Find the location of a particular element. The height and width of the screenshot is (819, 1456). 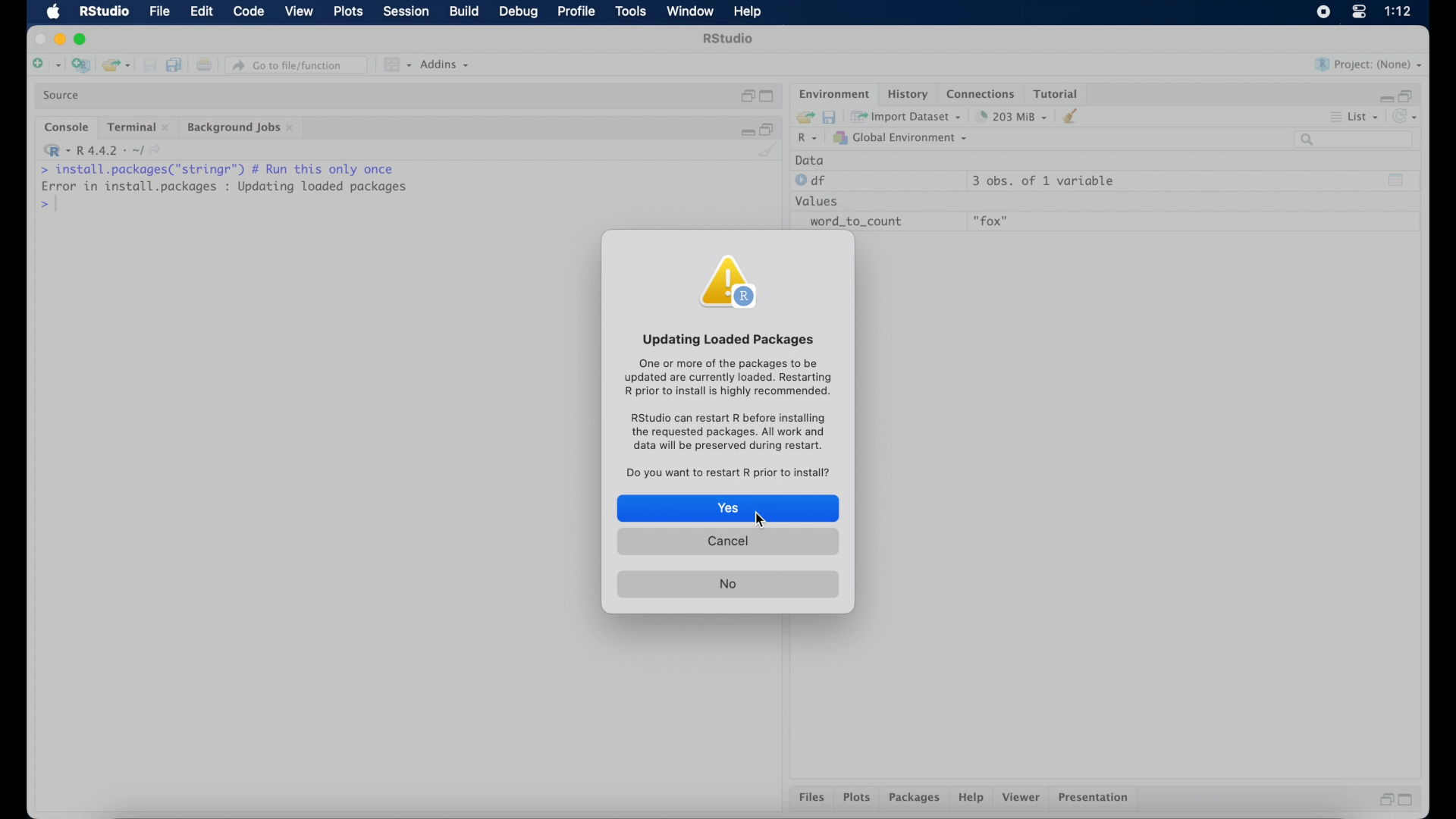

load workspace is located at coordinates (802, 118).